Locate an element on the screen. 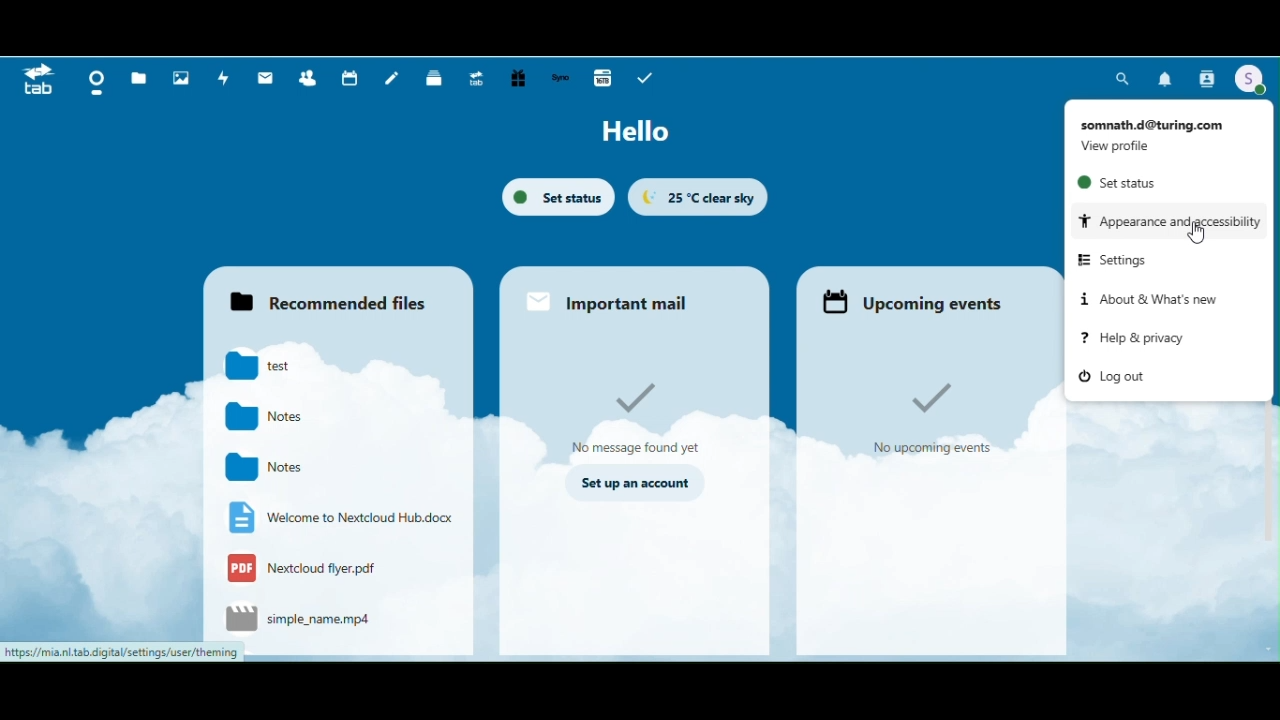 This screenshot has height=720, width=1280. Notes is located at coordinates (393, 79).